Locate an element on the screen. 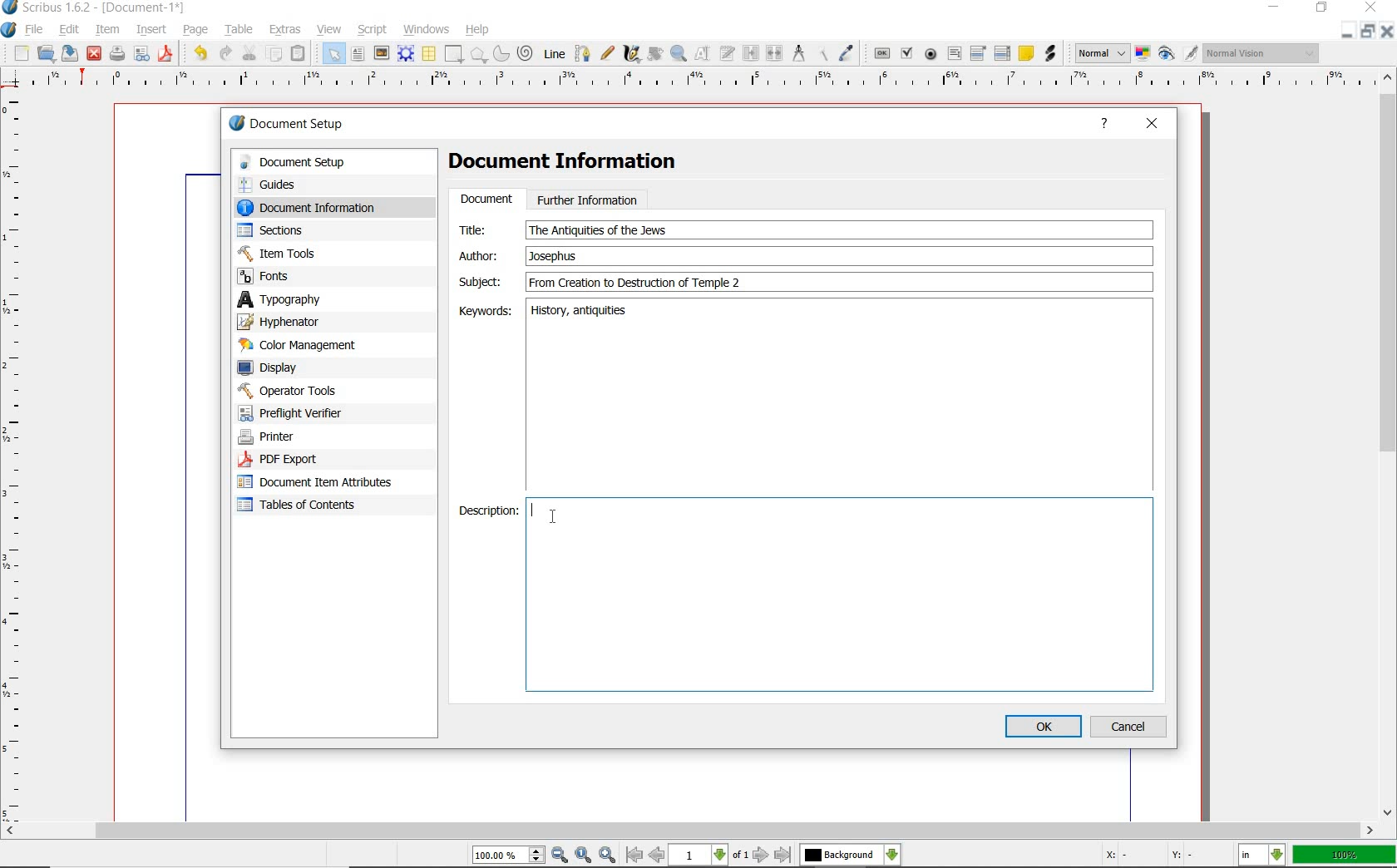  Author Text is located at coordinates (556, 255).